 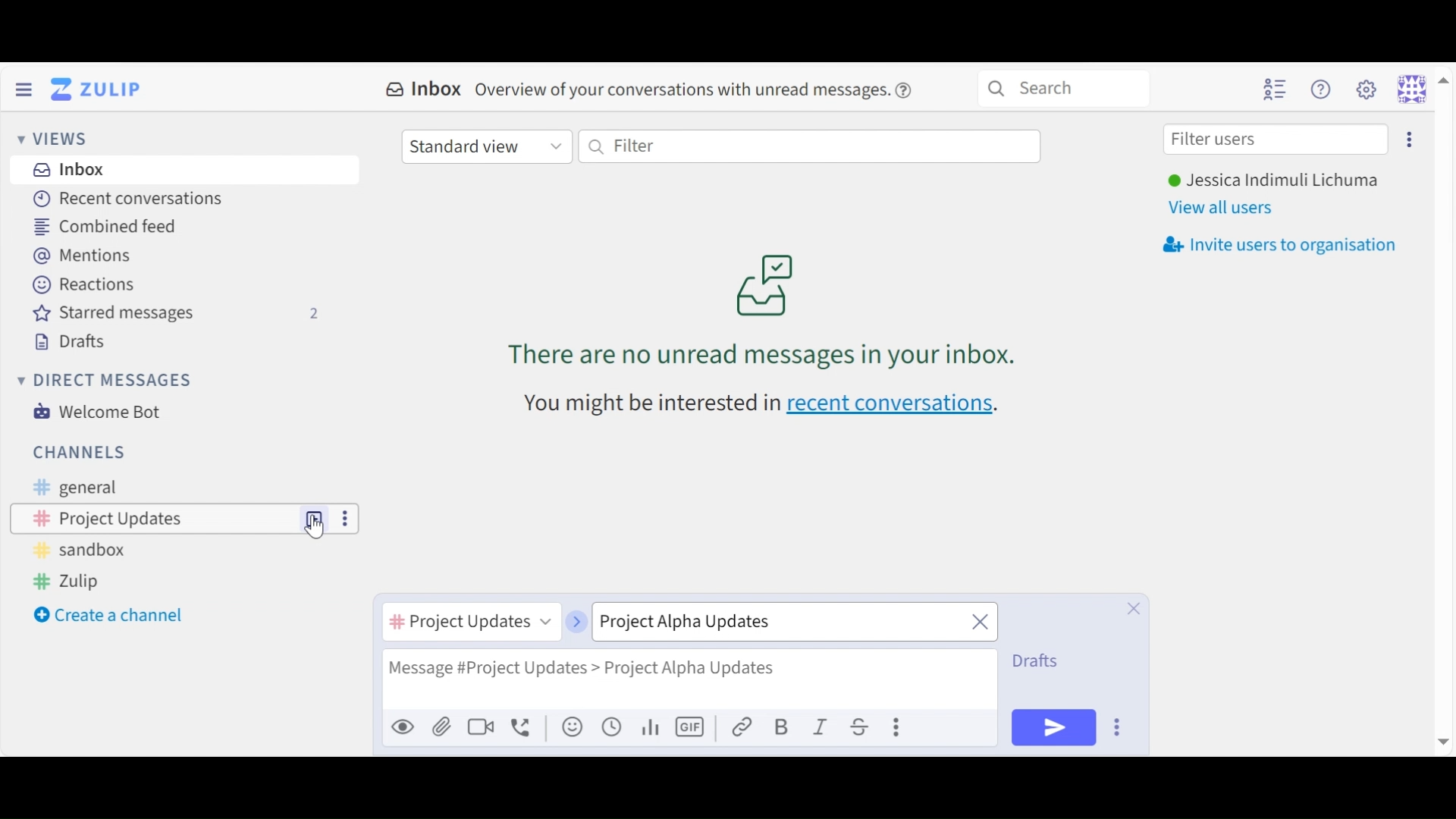 What do you see at coordinates (1226, 207) in the screenshot?
I see `View all users` at bounding box center [1226, 207].